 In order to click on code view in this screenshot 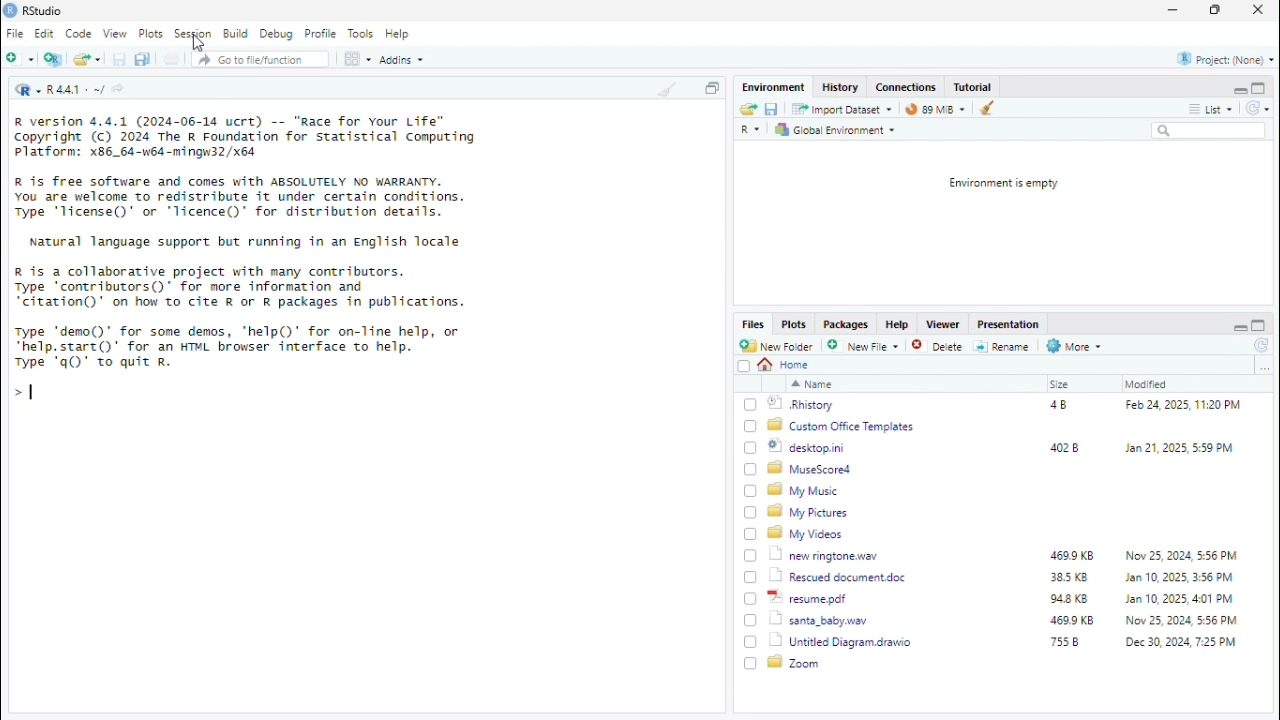, I will do `click(359, 58)`.